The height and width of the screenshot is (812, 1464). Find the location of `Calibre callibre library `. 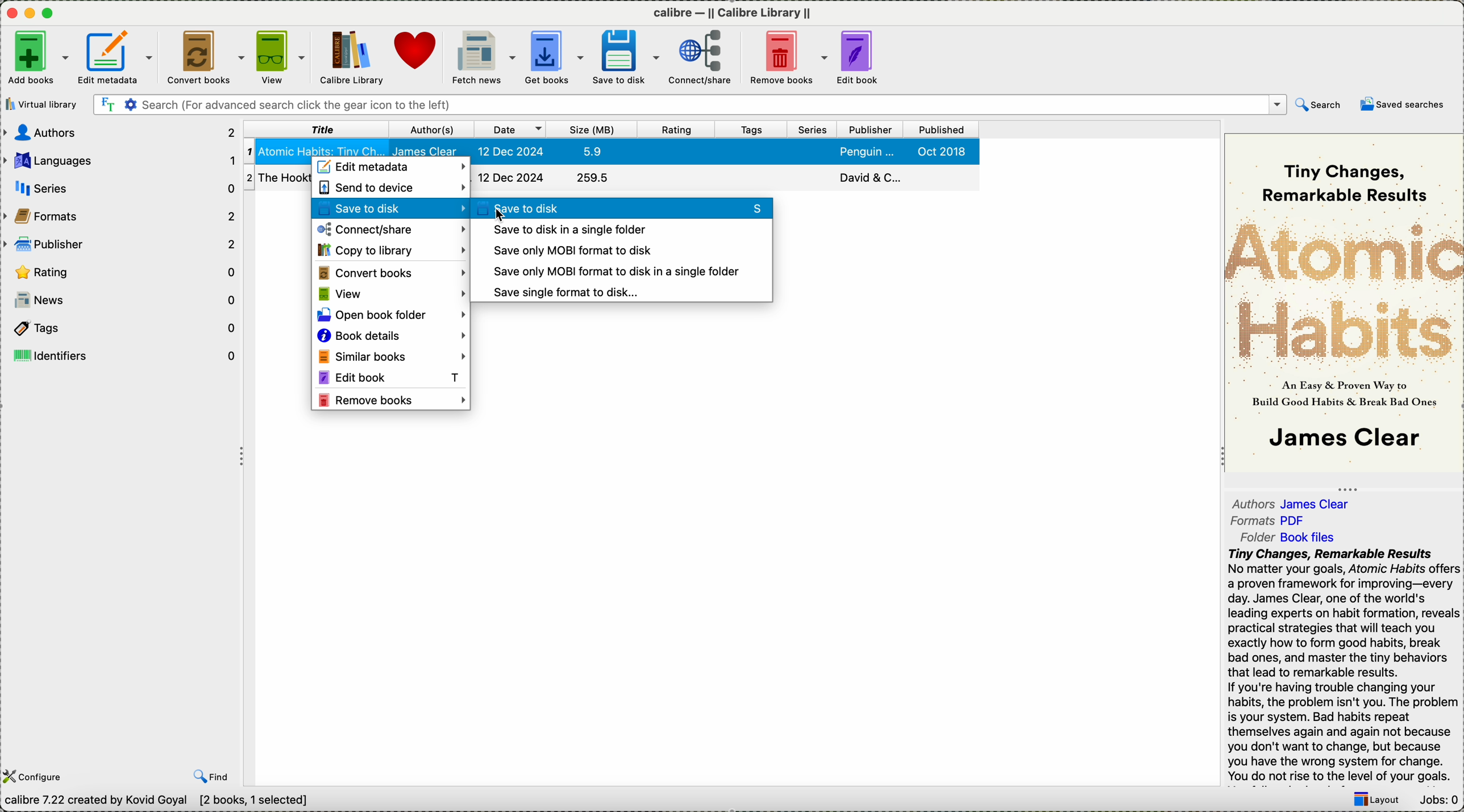

Calibre callibre library  is located at coordinates (733, 11).